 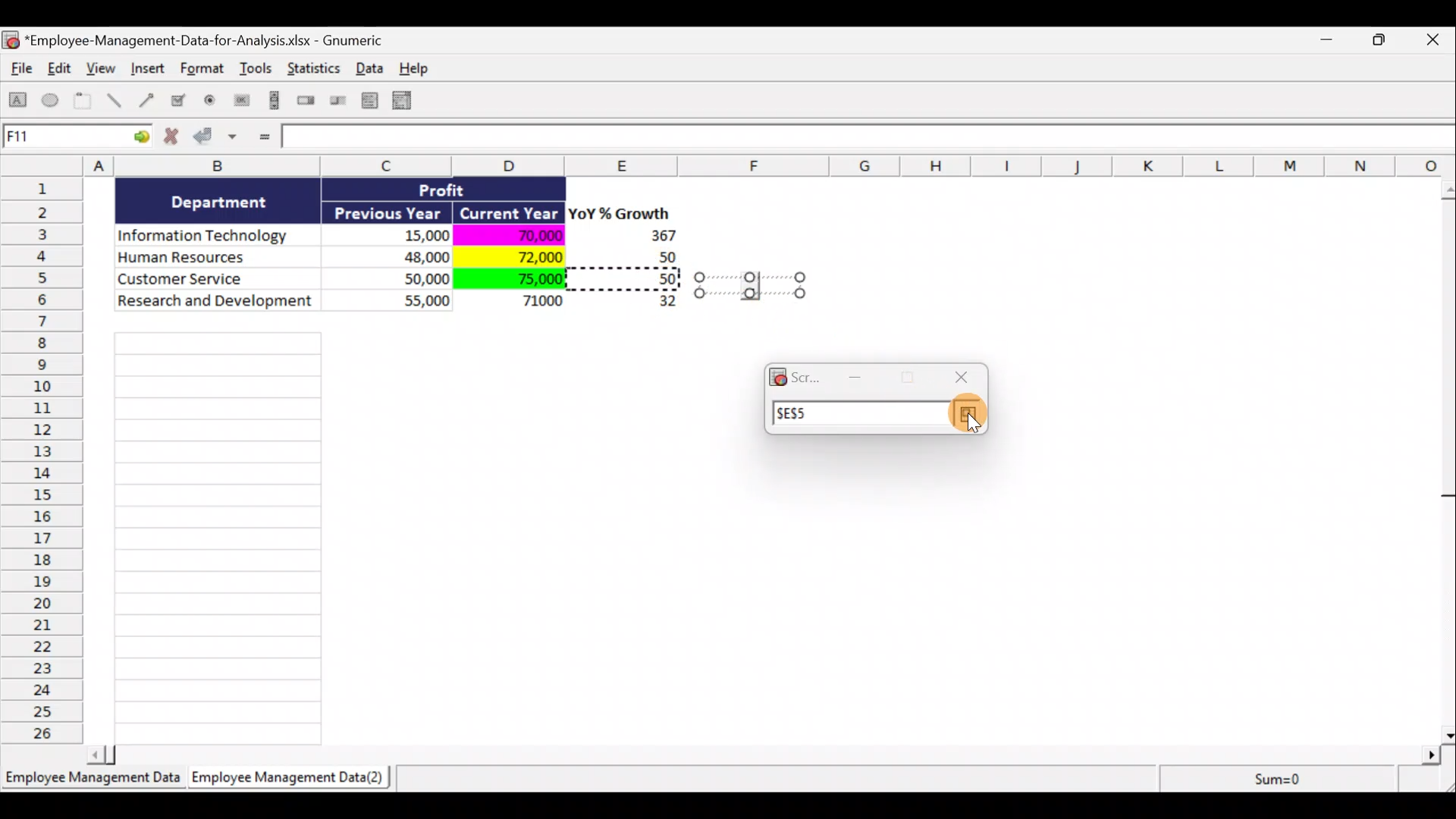 I want to click on $E$5, so click(x=800, y=413).